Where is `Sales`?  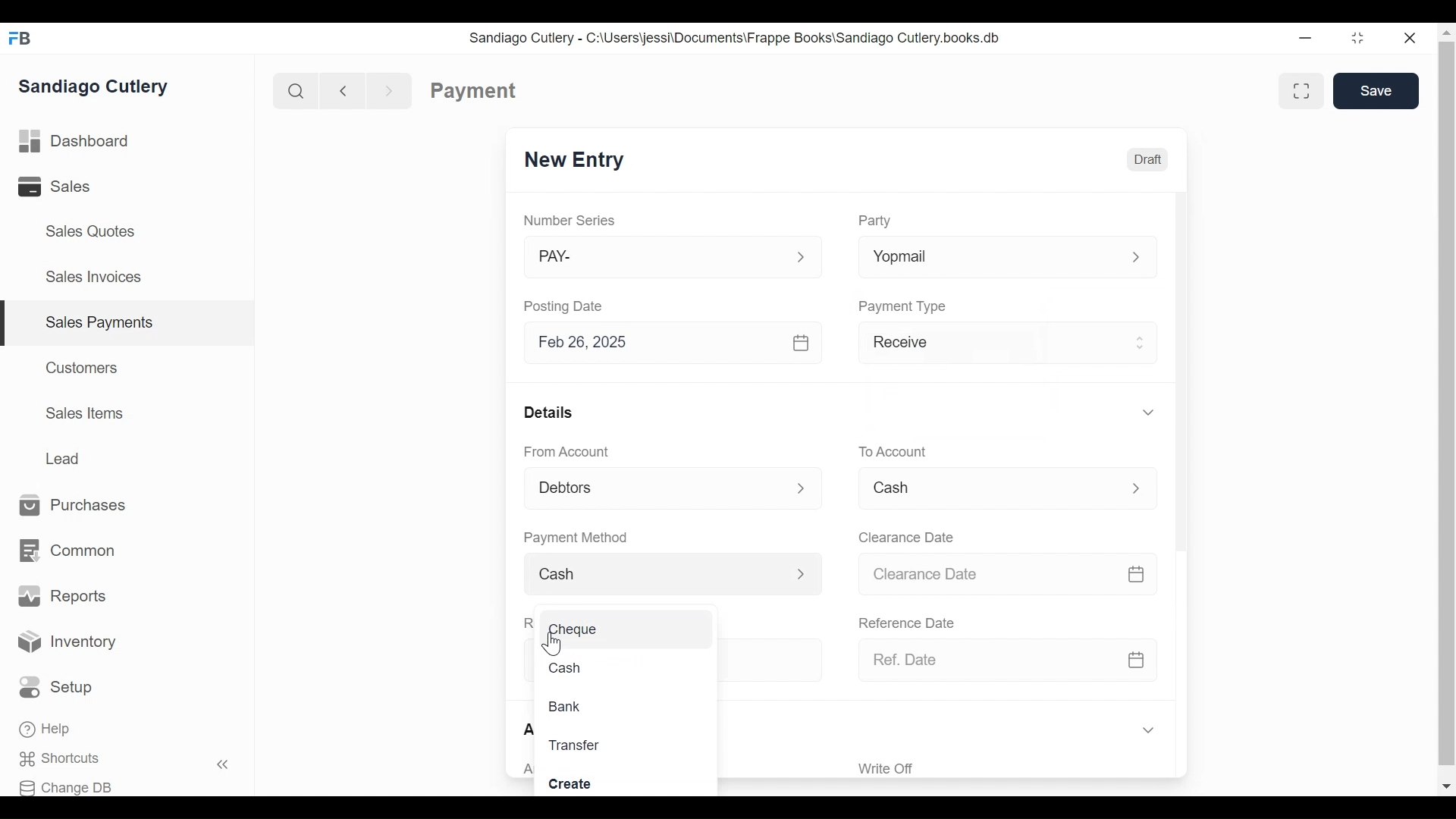
Sales is located at coordinates (65, 187).